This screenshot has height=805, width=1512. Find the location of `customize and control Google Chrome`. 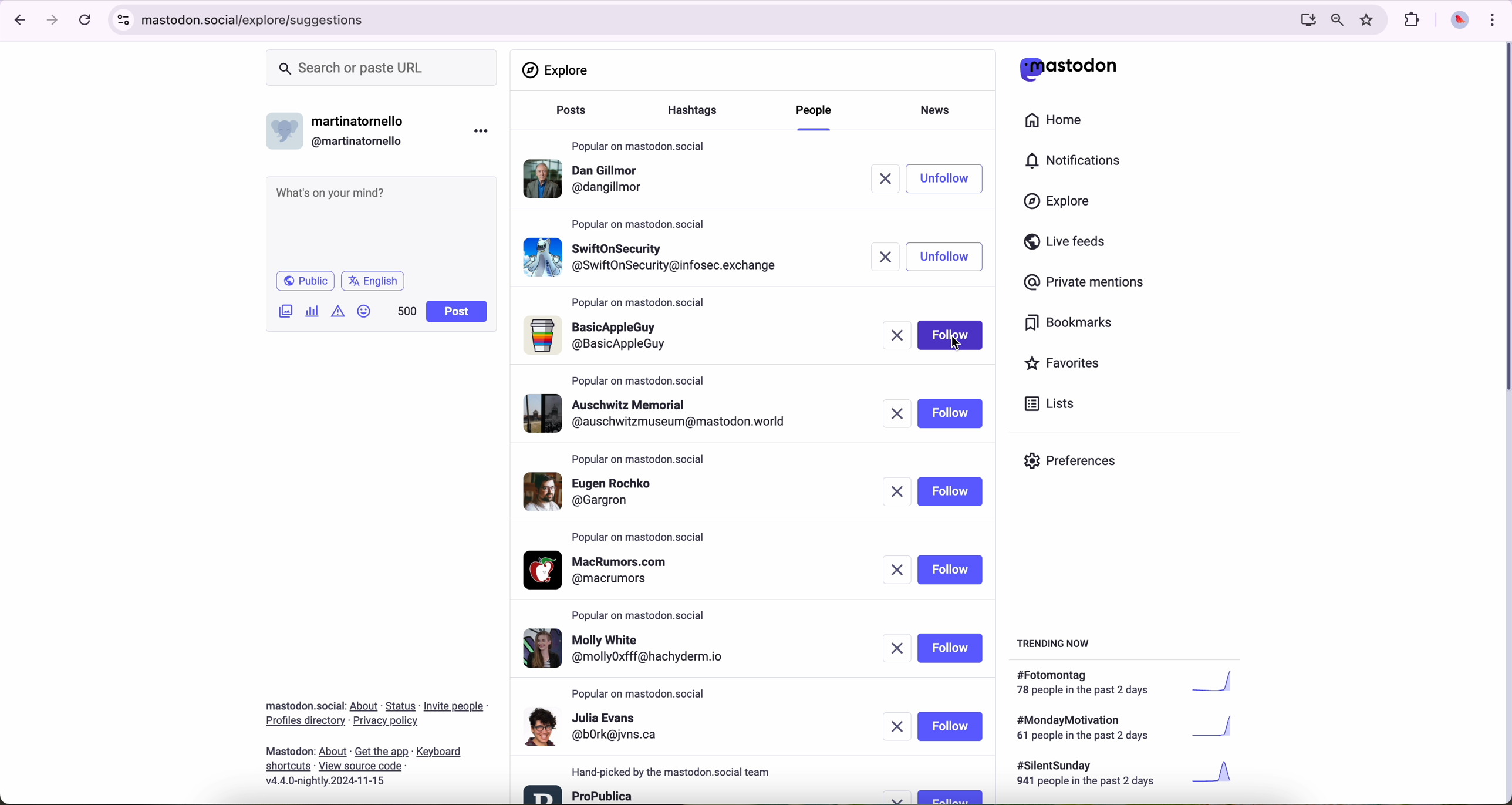

customize and control Google Chrome is located at coordinates (1491, 19).